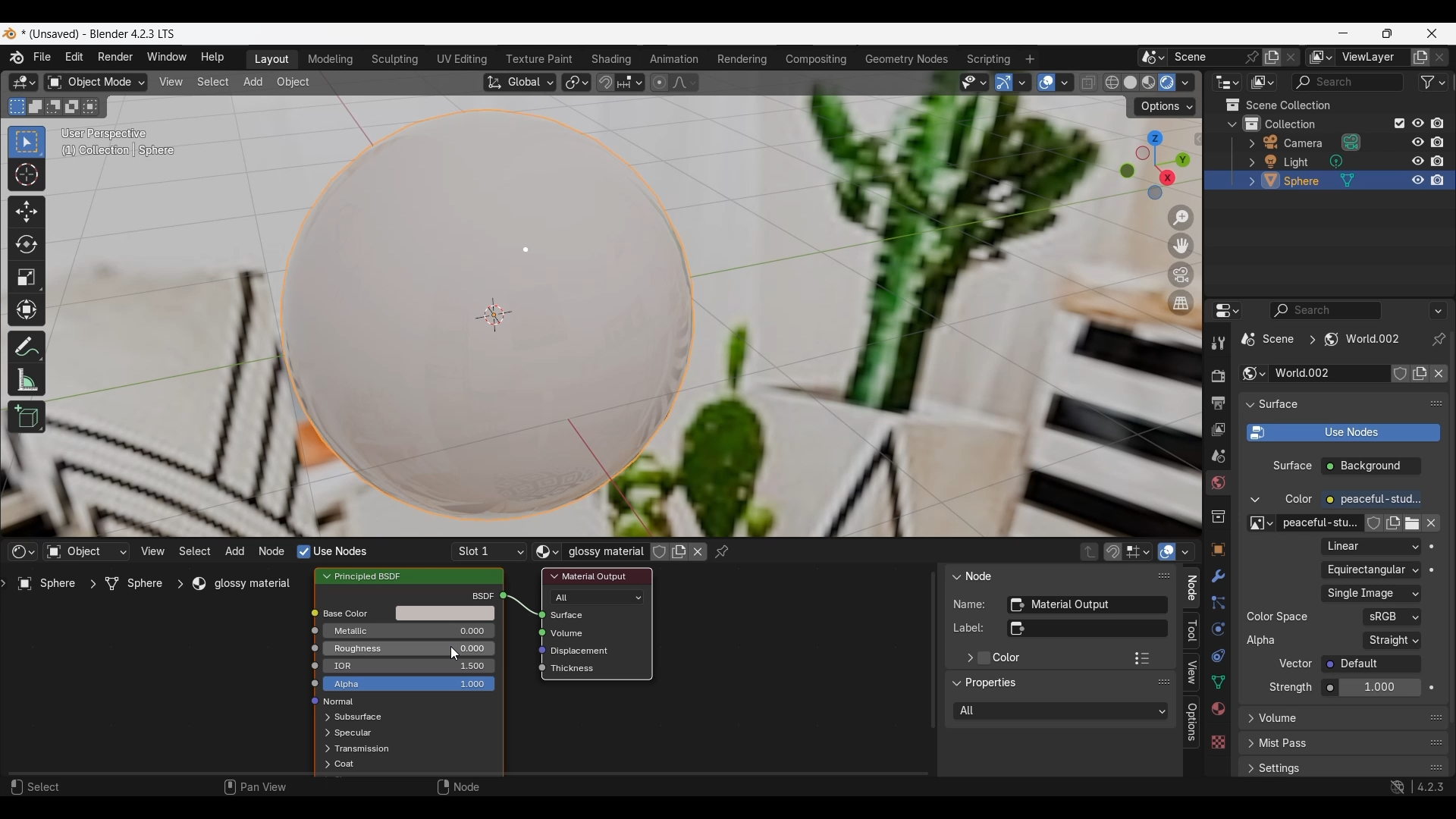 The width and height of the screenshot is (1456, 819). I want to click on Sculpting workspace, so click(395, 60).